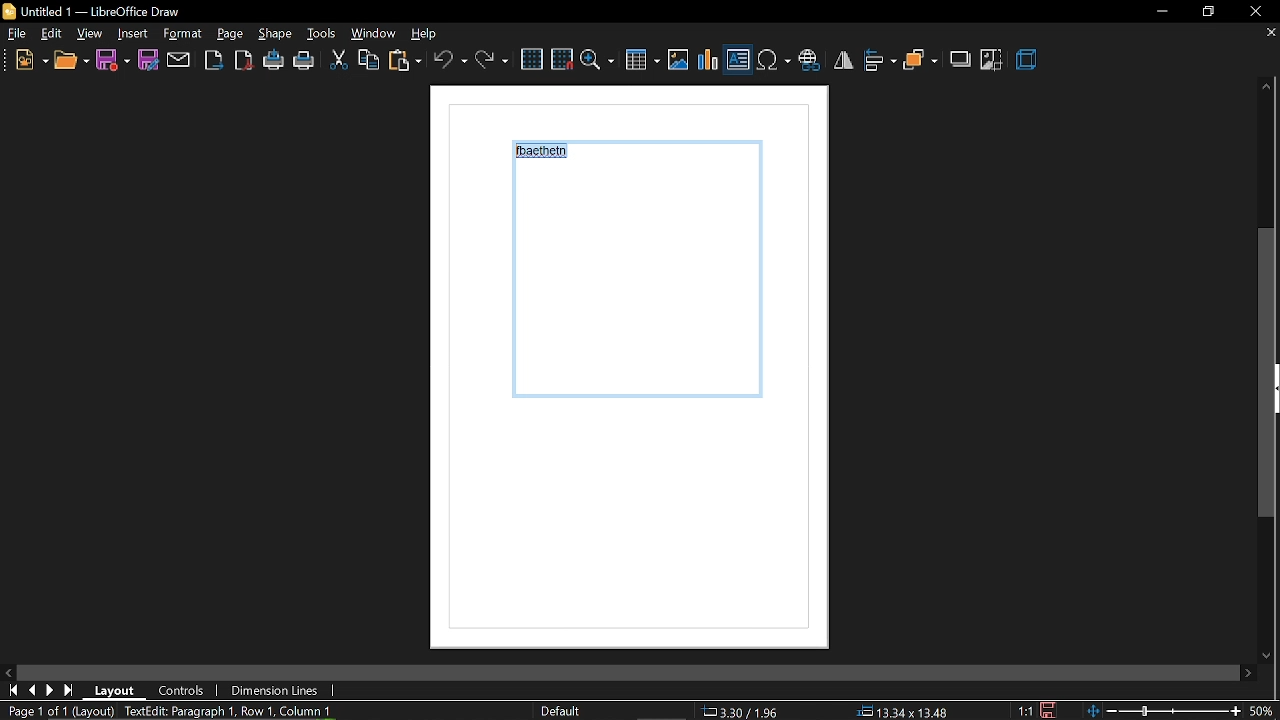 This screenshot has width=1280, height=720. I want to click on copy, so click(368, 61).